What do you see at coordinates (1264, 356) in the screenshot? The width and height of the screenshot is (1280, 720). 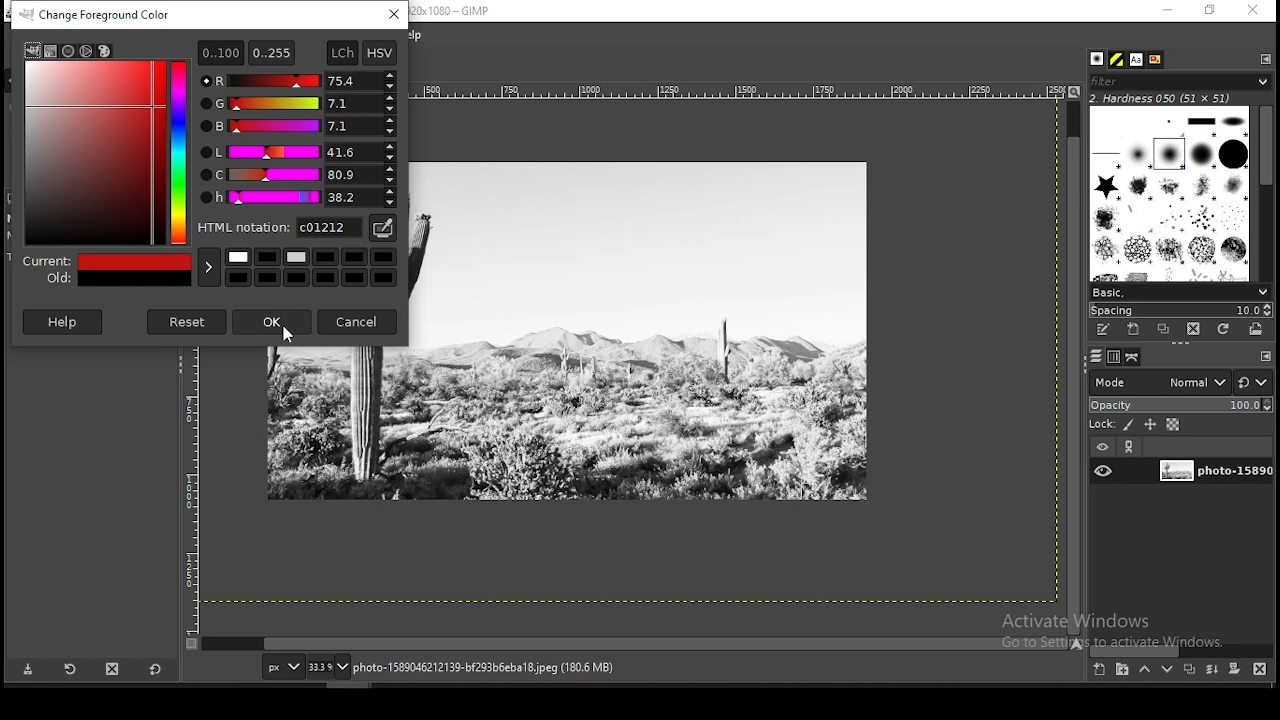 I see `configure this pane` at bounding box center [1264, 356].